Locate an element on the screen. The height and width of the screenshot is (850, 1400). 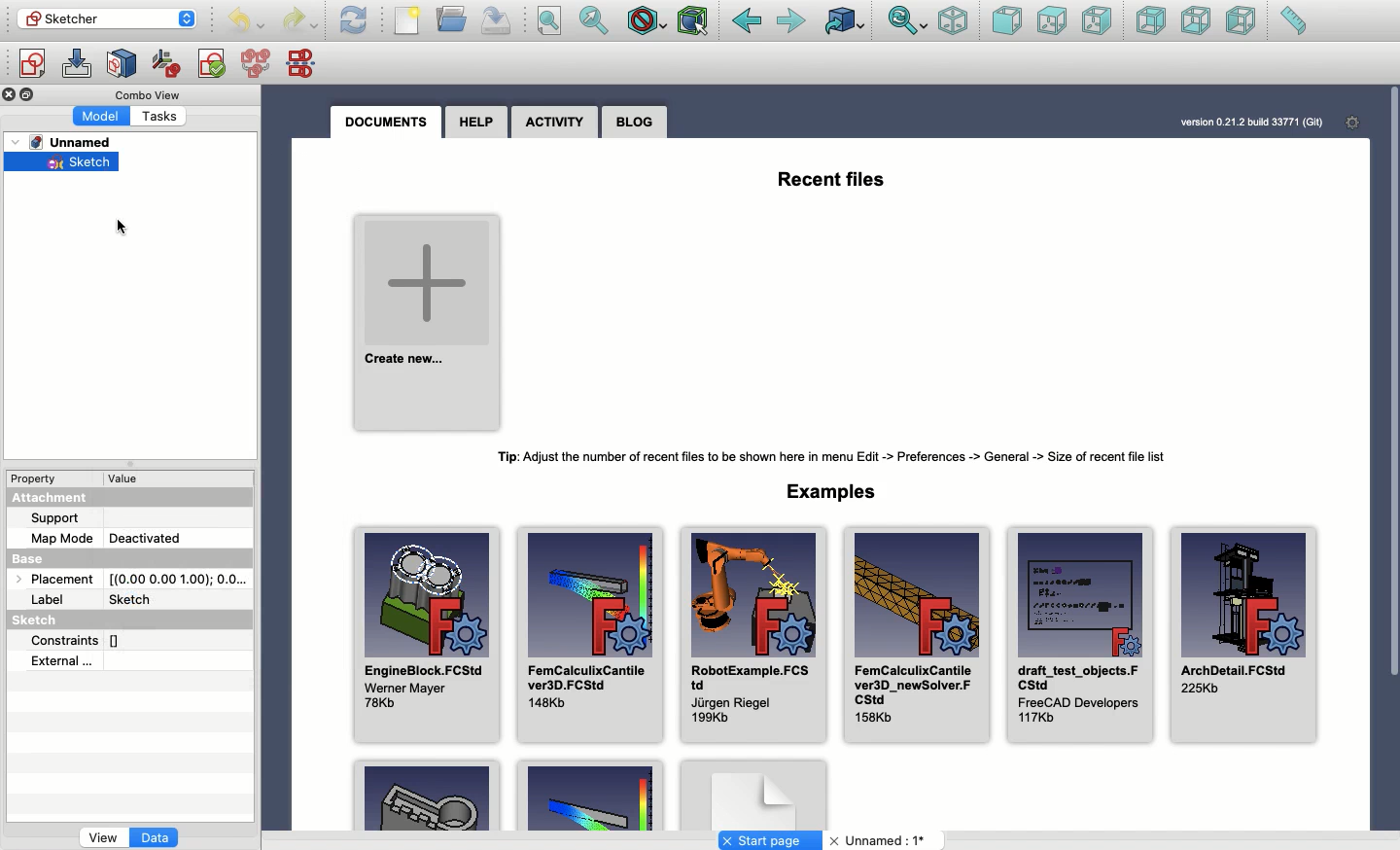
Down arrow is located at coordinates (191, 26).